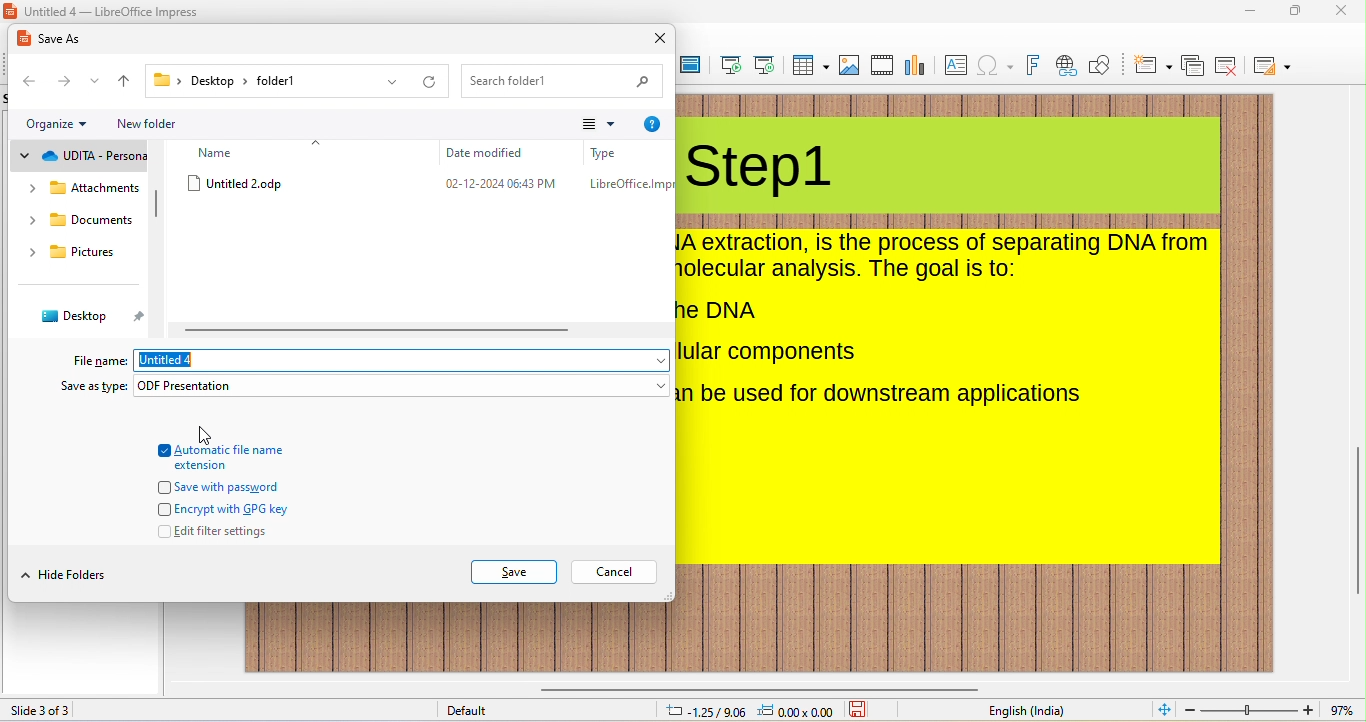 The height and width of the screenshot is (722, 1366). I want to click on Checkbox, so click(163, 531).